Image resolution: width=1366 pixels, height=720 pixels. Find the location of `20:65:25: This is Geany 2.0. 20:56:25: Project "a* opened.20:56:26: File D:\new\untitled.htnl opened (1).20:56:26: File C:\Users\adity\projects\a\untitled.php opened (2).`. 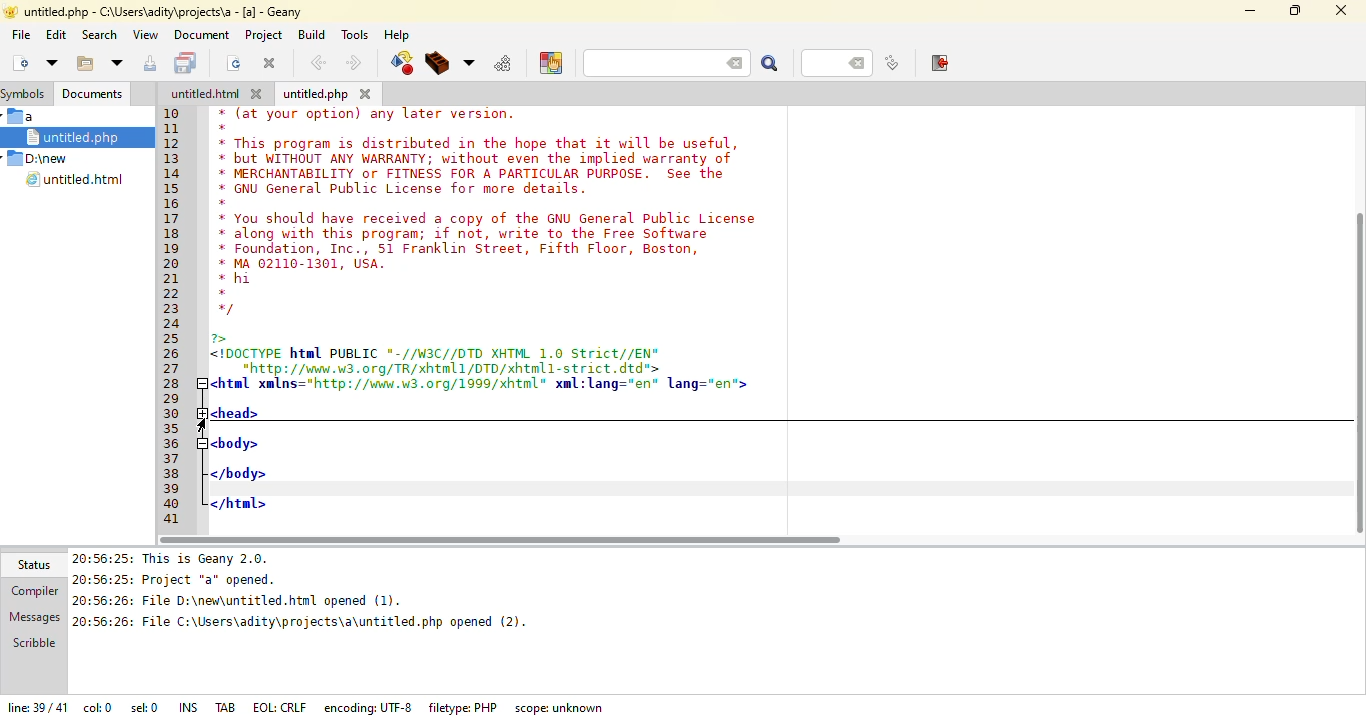

20:65:25: This is Geany 2.0. 20:56:25: Project "a* opened.20:56:26: File D:\new\untitled.htnl opened (1).20:56:26: File C:\Users\adity\projects\a\untitled.php opened (2). is located at coordinates (304, 594).